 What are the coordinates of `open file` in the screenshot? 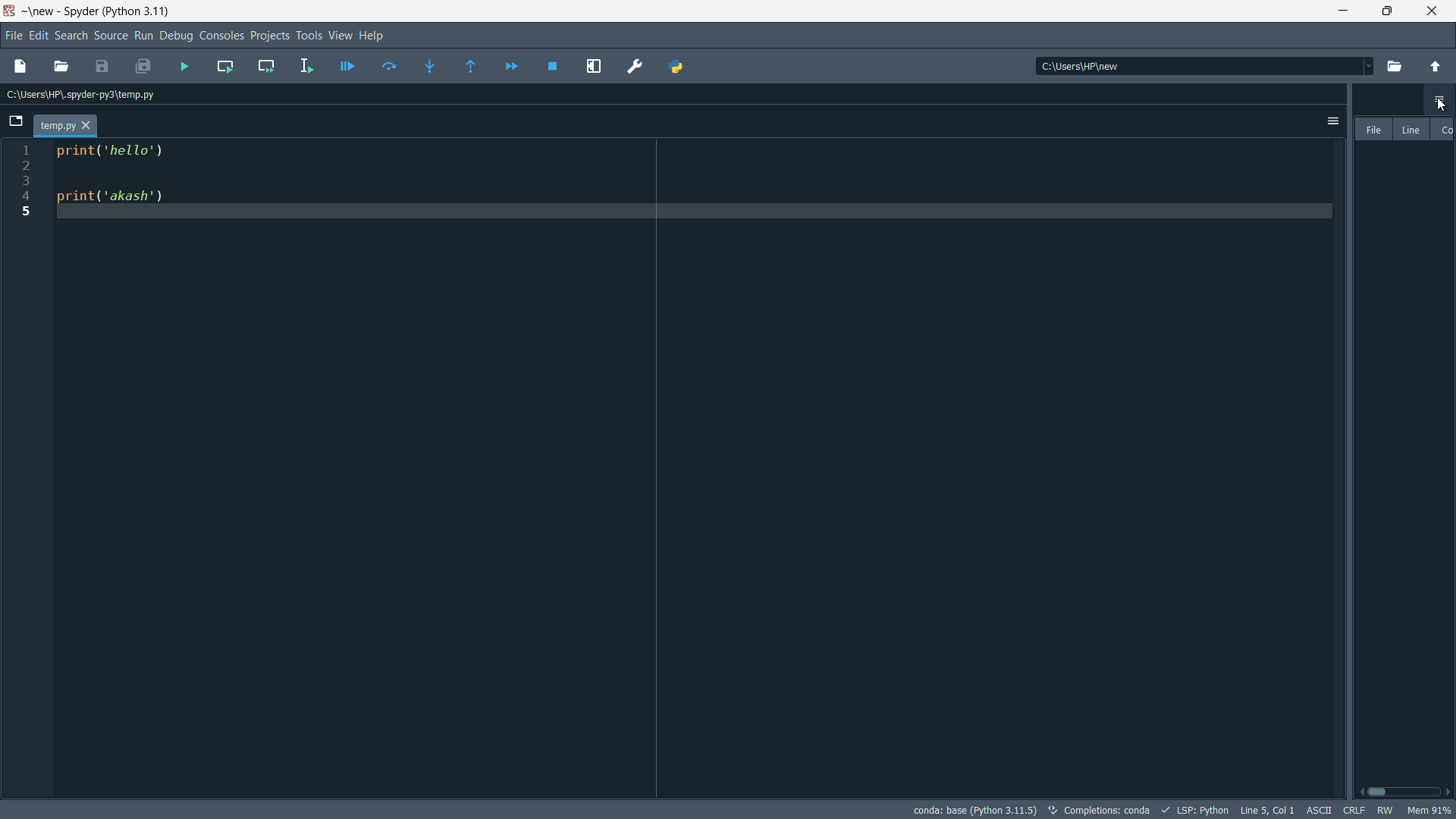 It's located at (60, 67).